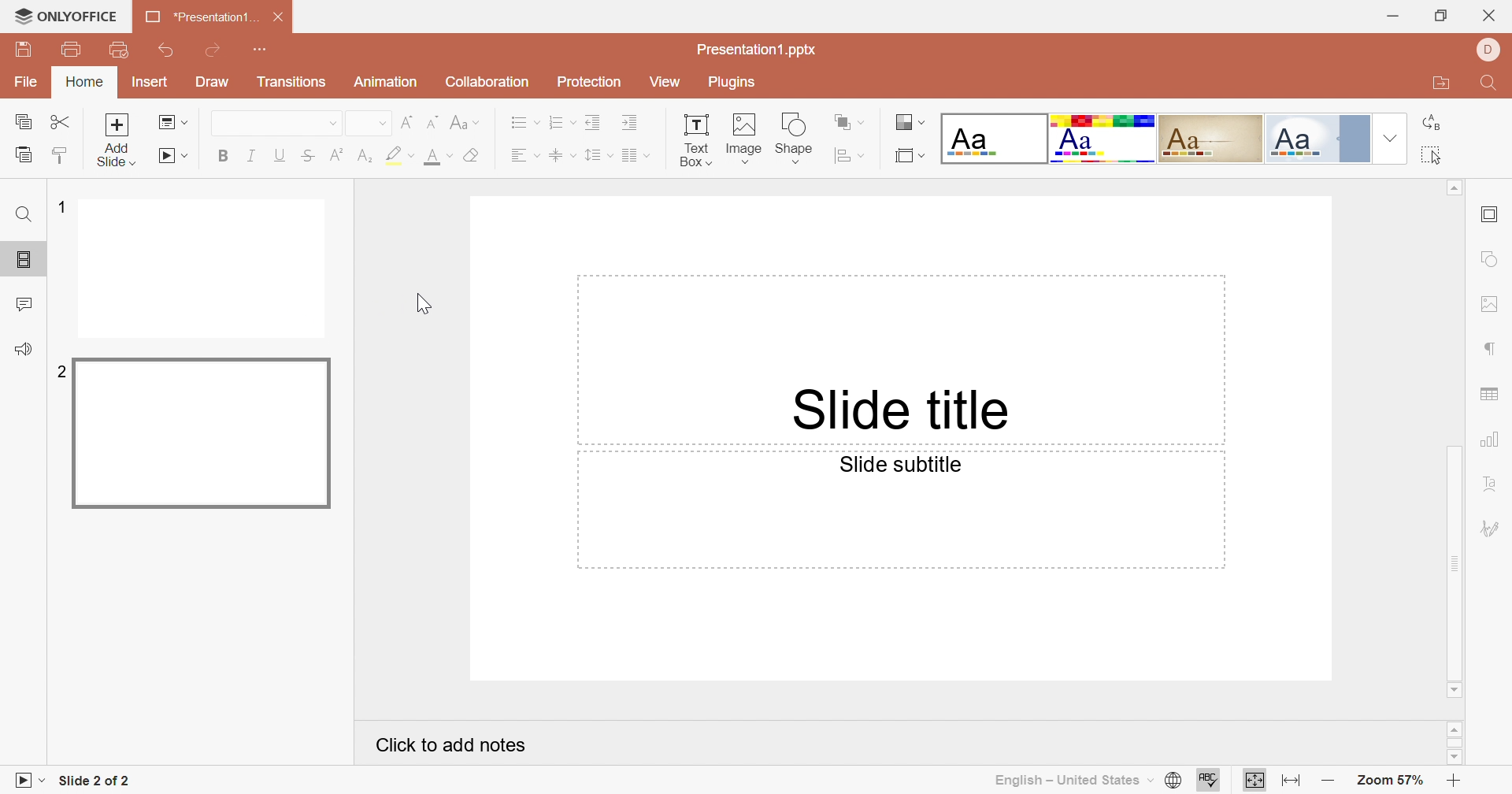 Image resolution: width=1512 pixels, height=794 pixels. Describe the element at coordinates (96, 779) in the screenshot. I see `slide count` at that location.